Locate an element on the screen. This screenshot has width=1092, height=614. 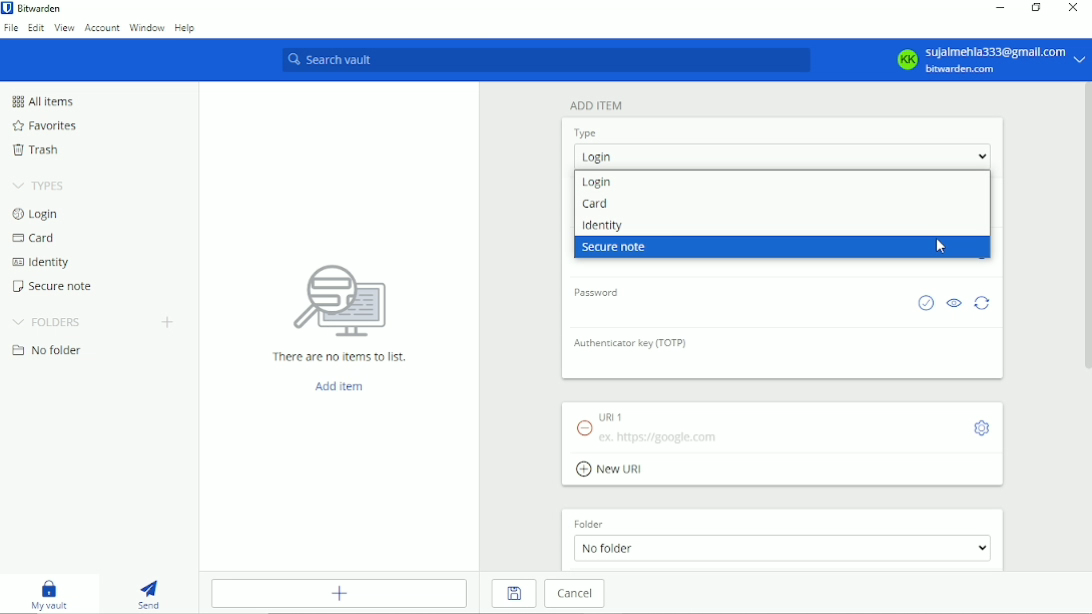
Vertical scrollbar is located at coordinates (1085, 231).